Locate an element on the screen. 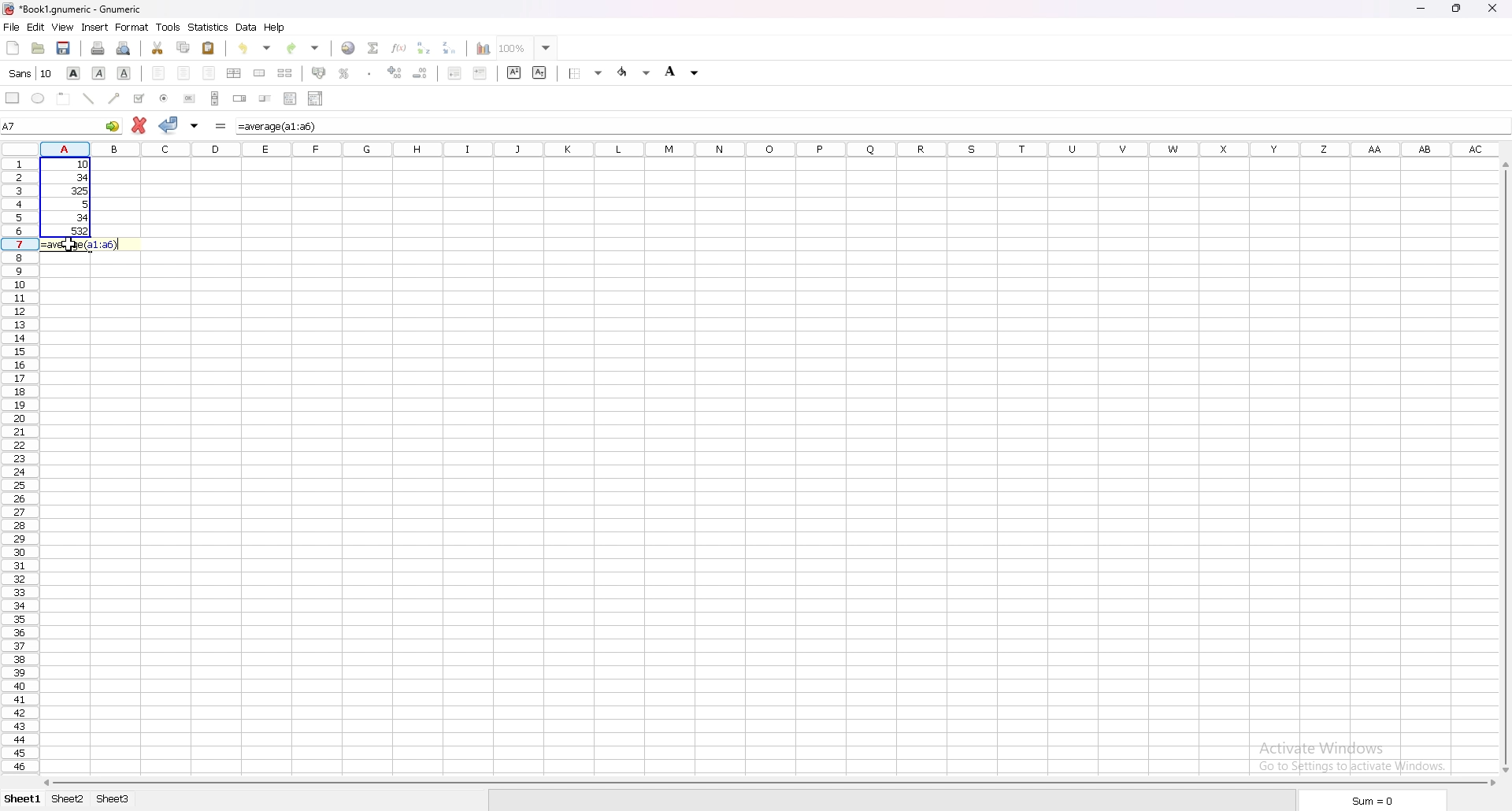  view is located at coordinates (62, 27).